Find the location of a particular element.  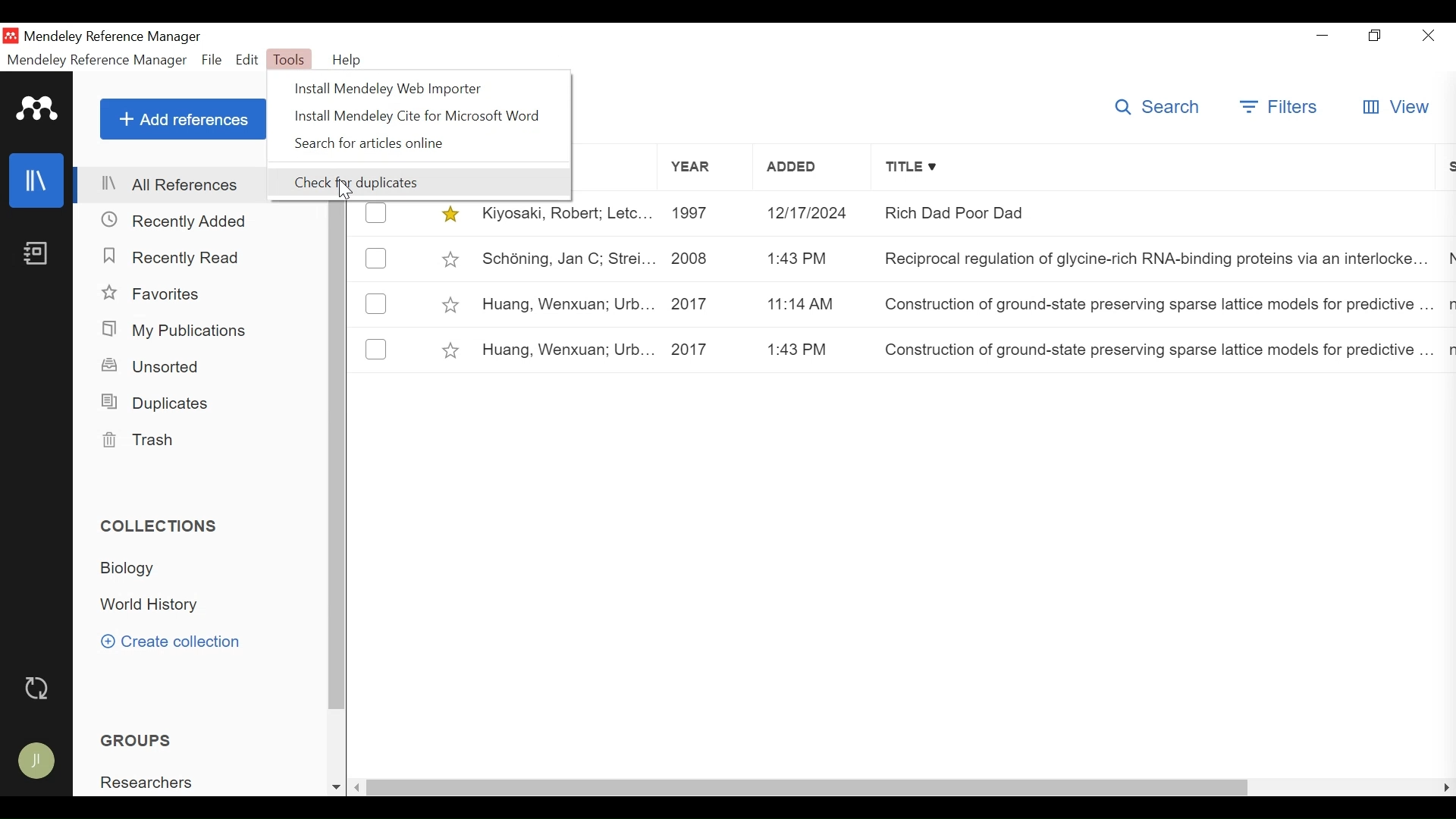

Rich Dad Poor Dad is located at coordinates (1155, 214).